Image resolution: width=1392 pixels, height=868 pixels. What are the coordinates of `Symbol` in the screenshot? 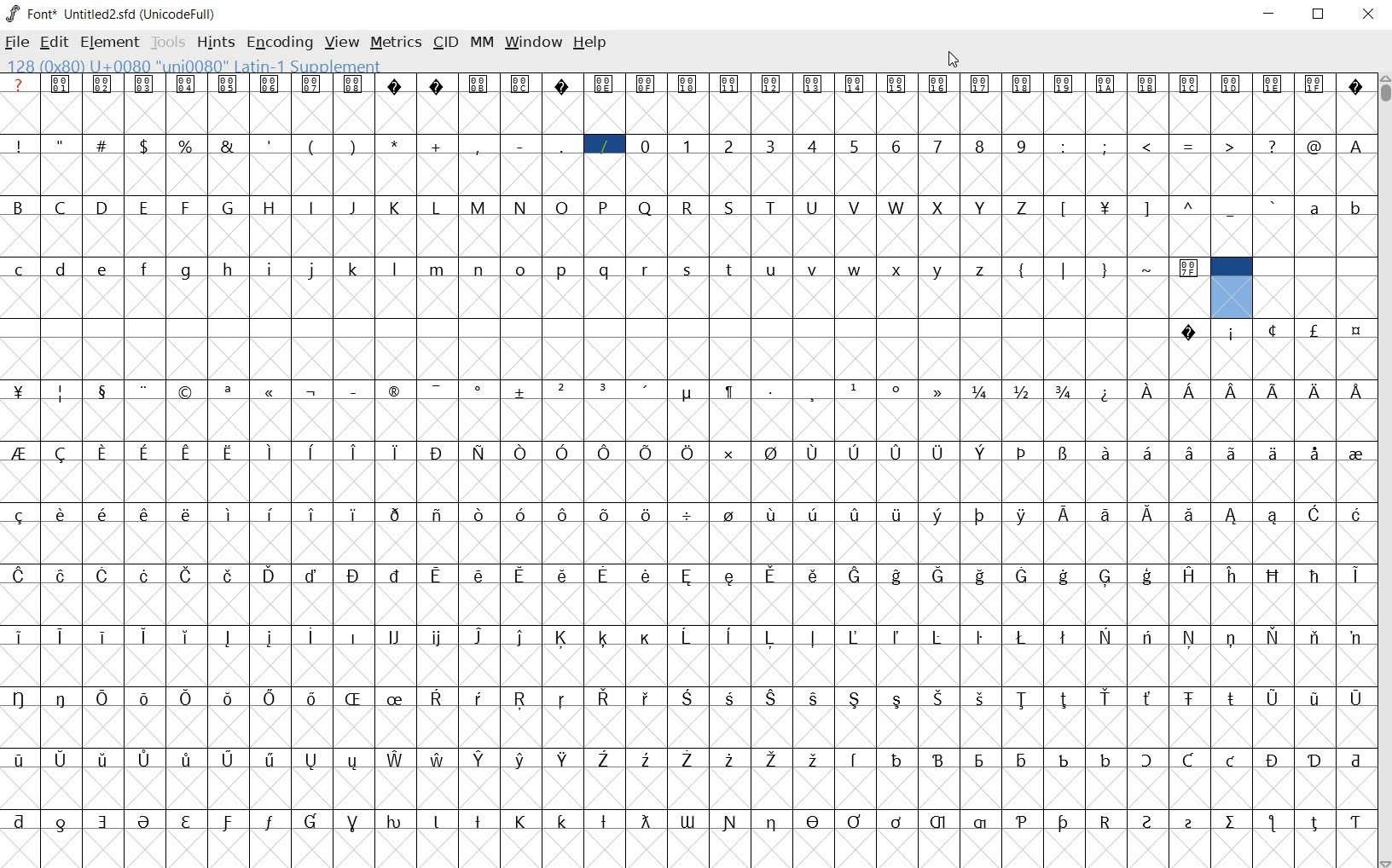 It's located at (1147, 513).